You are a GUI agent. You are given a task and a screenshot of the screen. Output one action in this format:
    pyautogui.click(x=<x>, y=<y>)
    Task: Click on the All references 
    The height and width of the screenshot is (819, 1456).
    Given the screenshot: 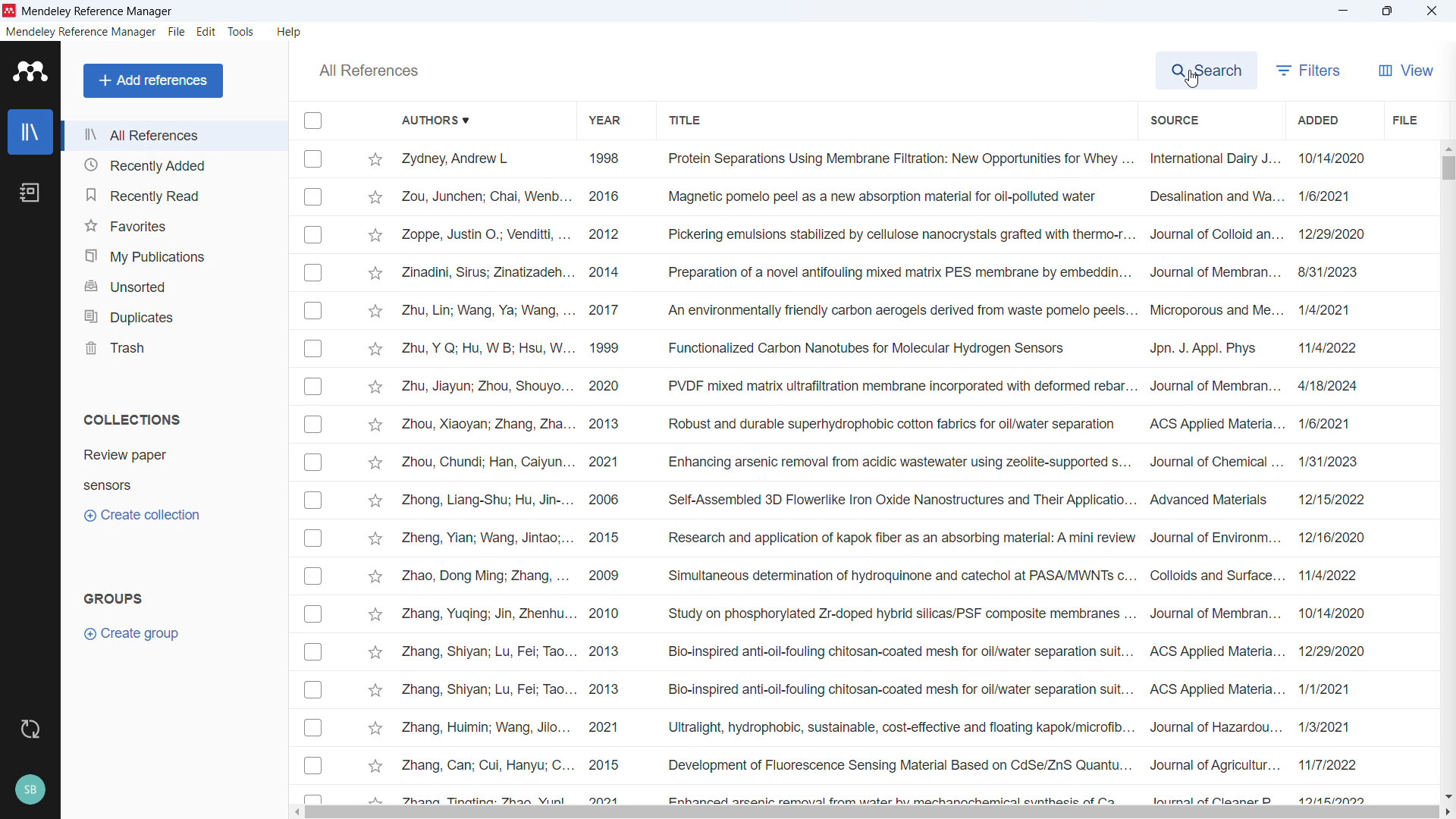 What is the action you would take?
    pyautogui.click(x=174, y=135)
    